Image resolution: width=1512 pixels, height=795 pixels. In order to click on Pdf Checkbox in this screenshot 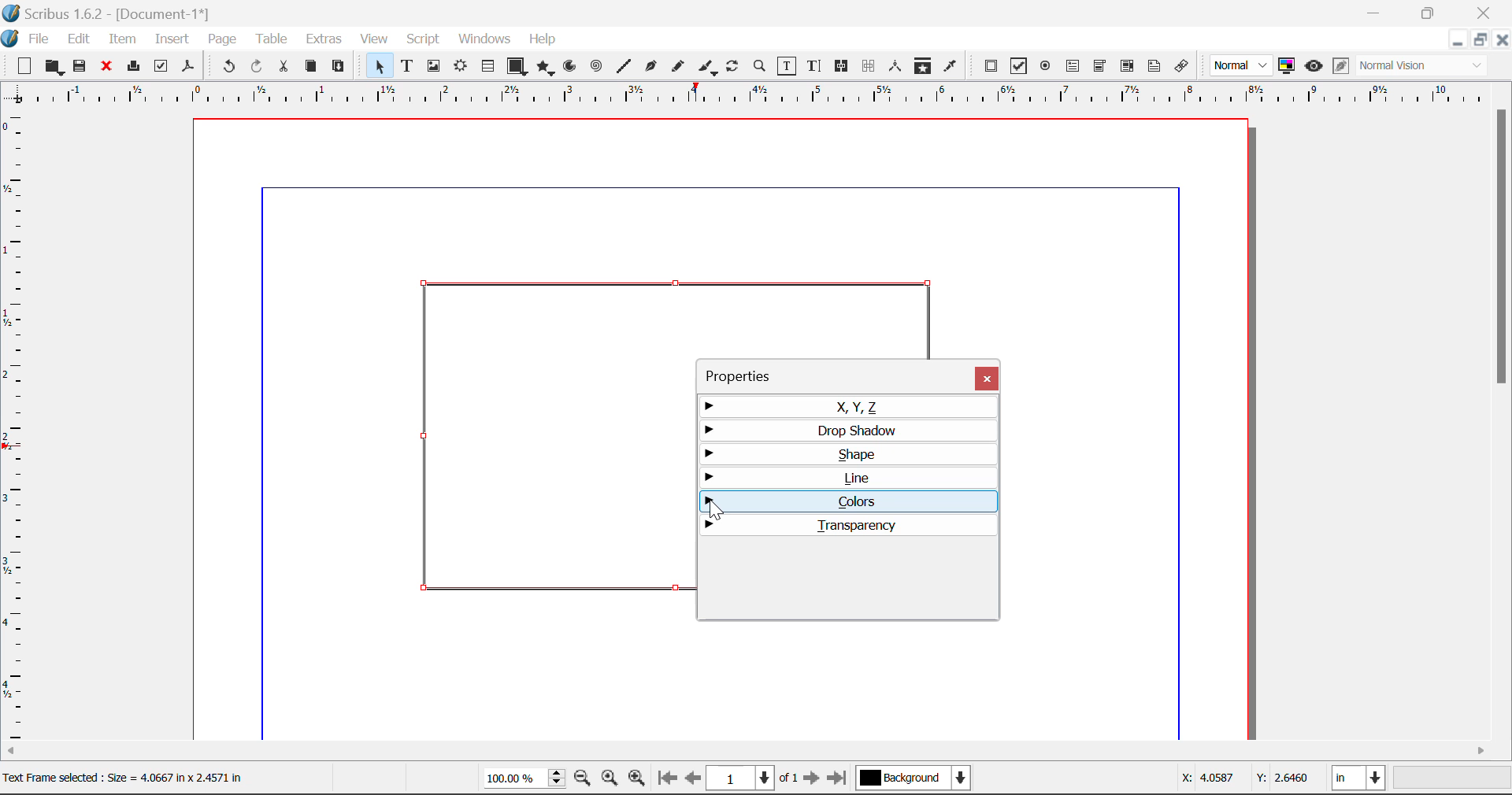, I will do `click(1019, 66)`.